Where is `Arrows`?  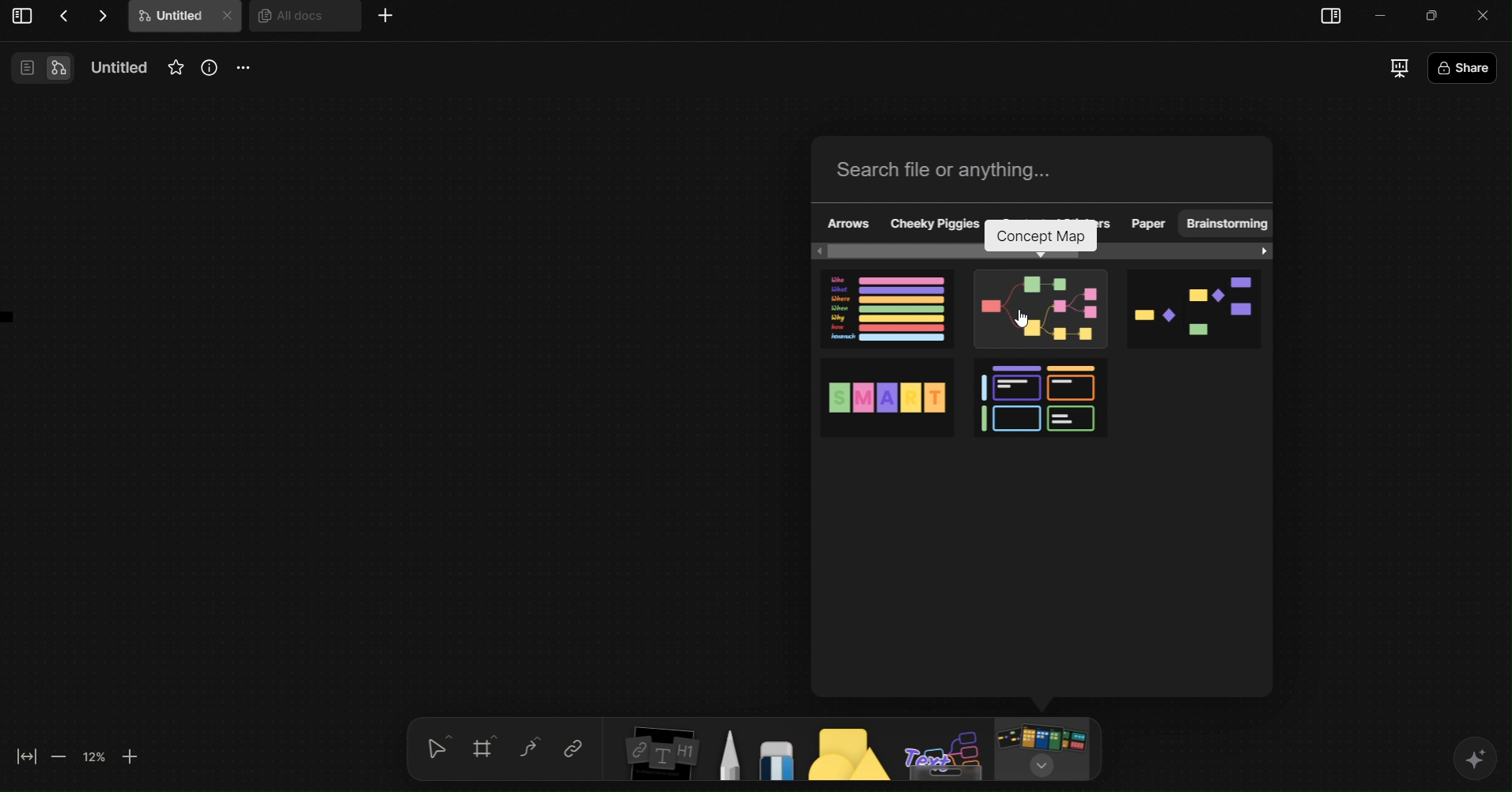
Arrows is located at coordinates (848, 224).